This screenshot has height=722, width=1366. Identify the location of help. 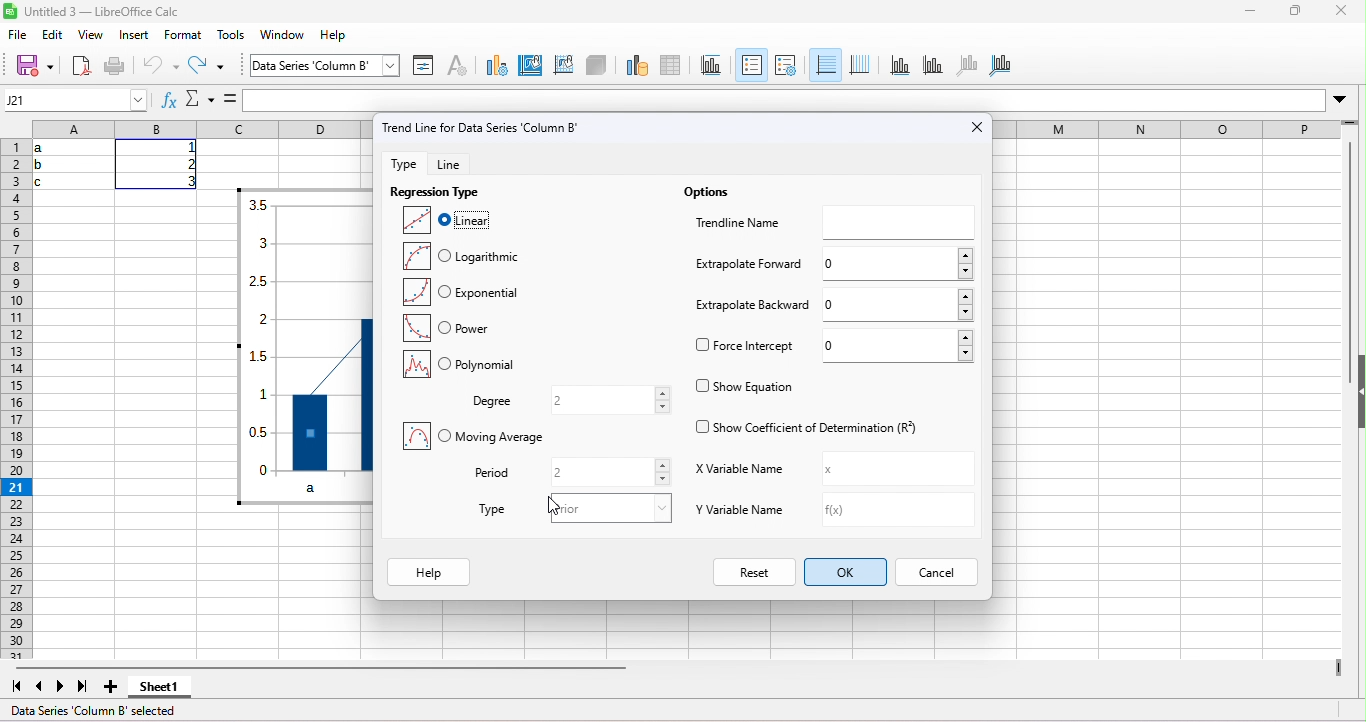
(430, 572).